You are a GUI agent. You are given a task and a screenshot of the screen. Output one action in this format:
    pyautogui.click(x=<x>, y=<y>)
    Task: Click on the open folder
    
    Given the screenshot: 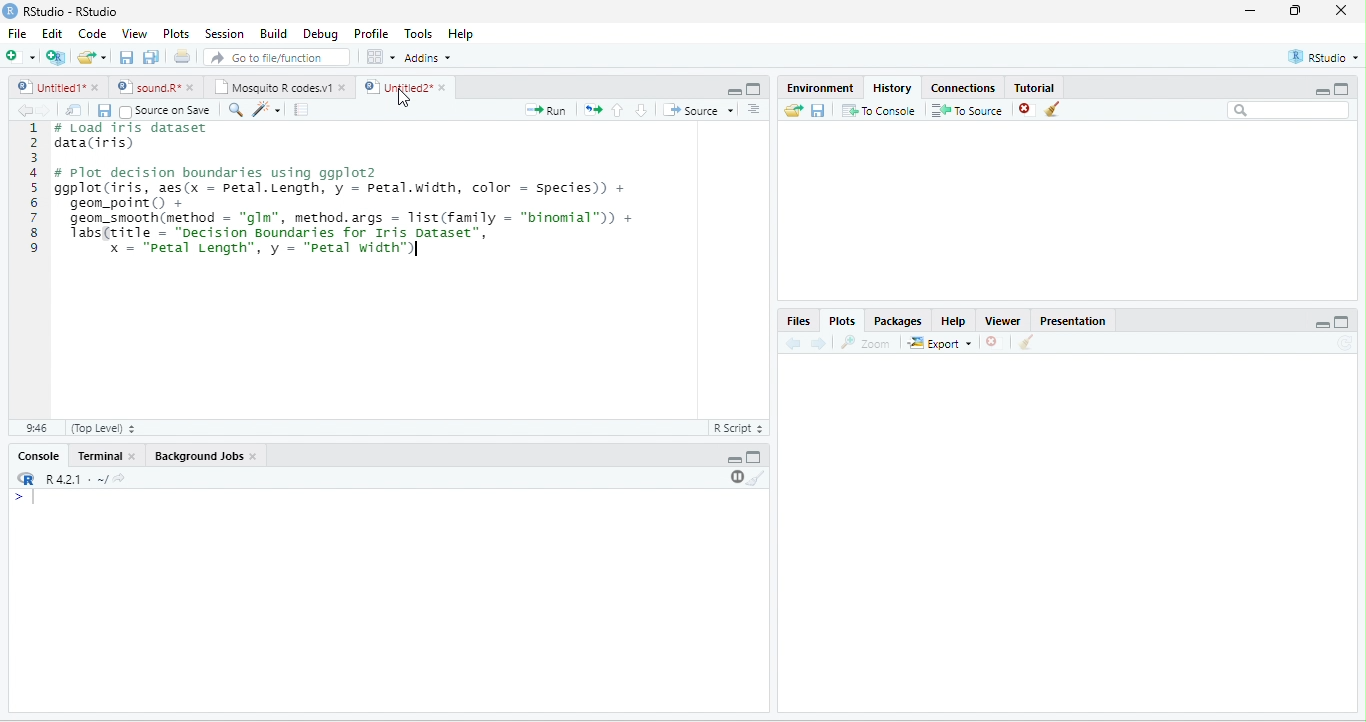 What is the action you would take?
    pyautogui.click(x=794, y=110)
    